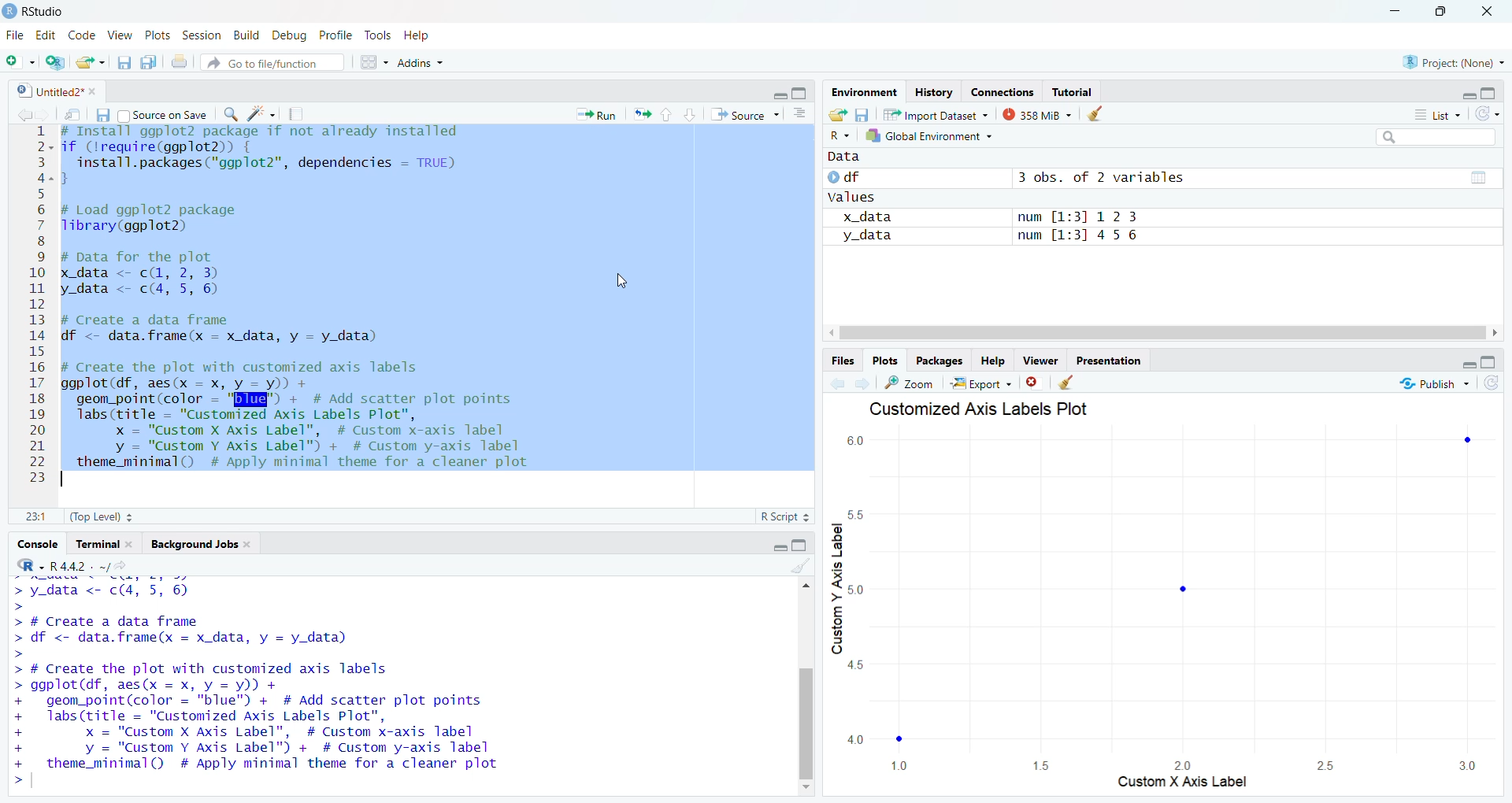 The image size is (1512, 803). What do you see at coordinates (1495, 91) in the screenshot?
I see `maximise` at bounding box center [1495, 91].